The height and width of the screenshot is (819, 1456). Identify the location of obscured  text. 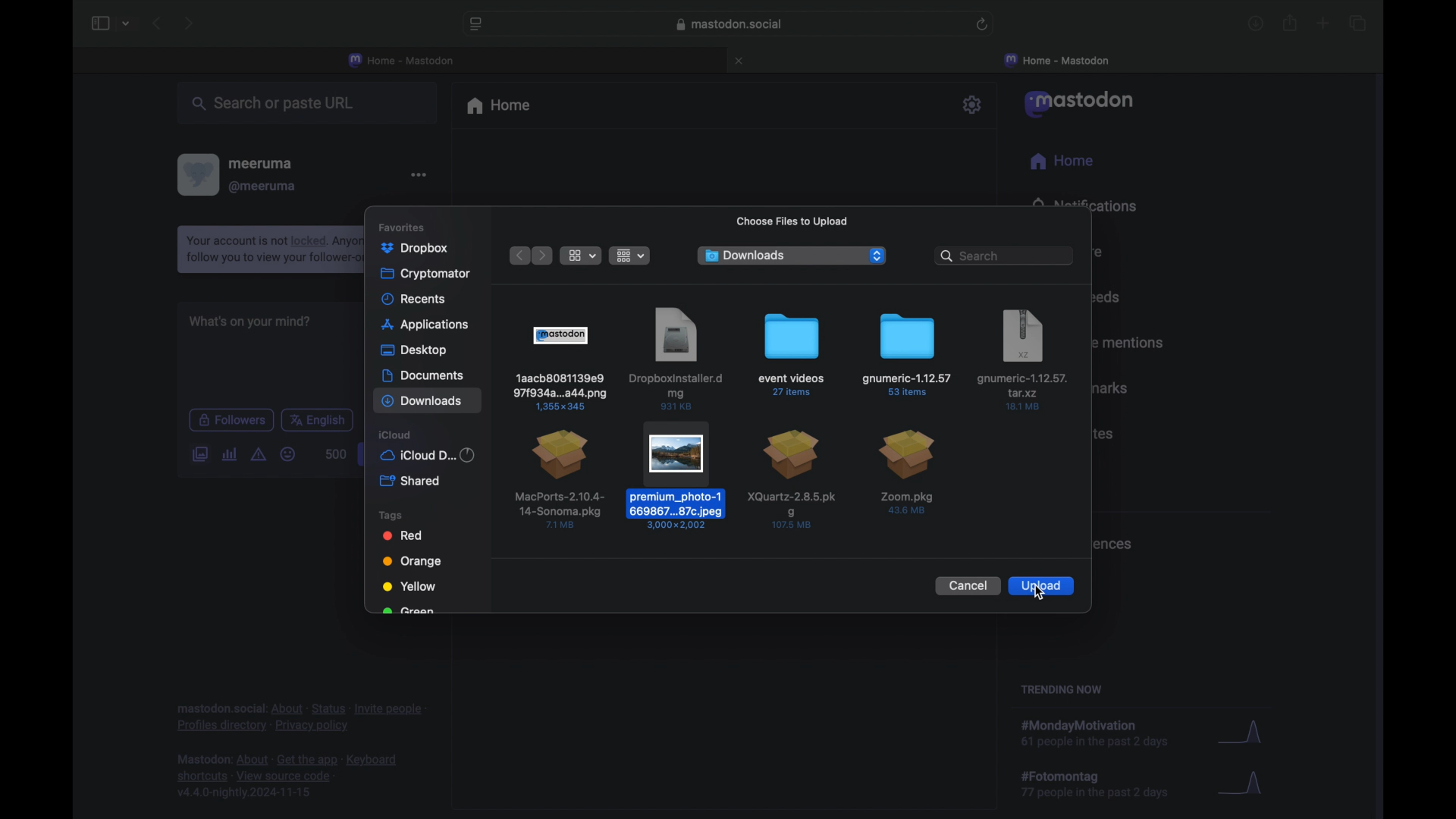
(409, 611).